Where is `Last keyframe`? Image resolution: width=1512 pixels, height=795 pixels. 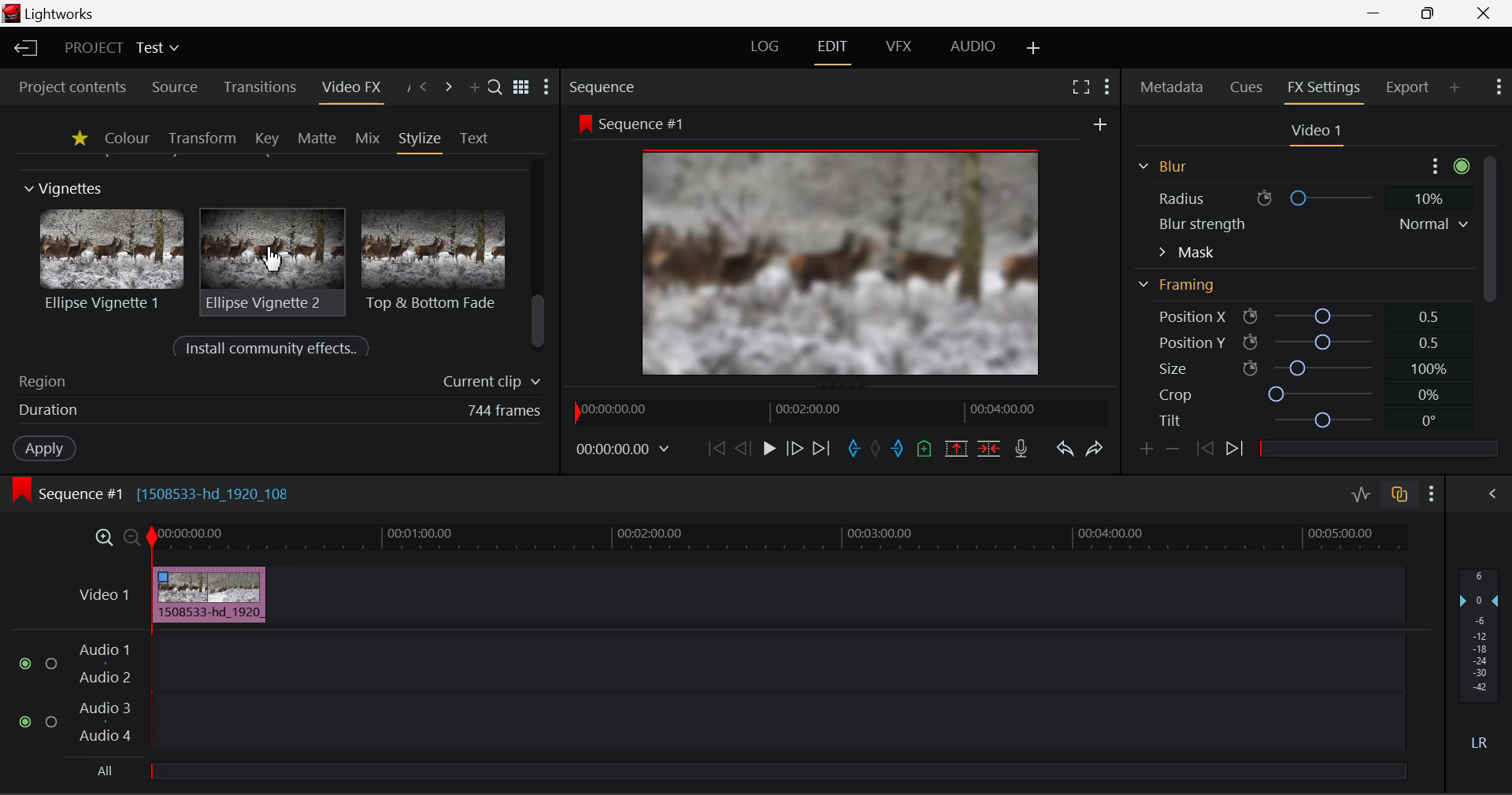
Last keyframe is located at coordinates (1206, 451).